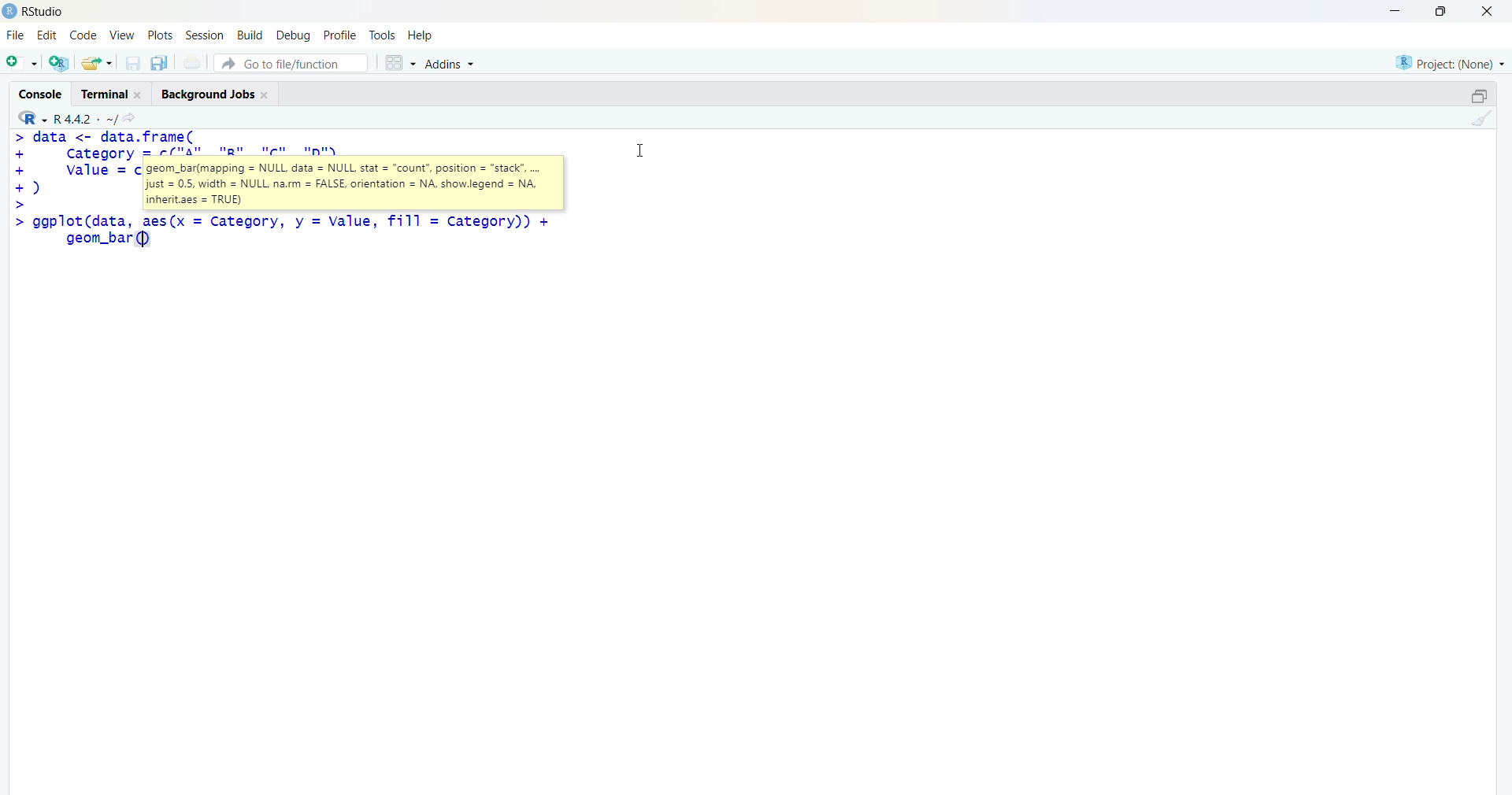 The width and height of the screenshot is (1512, 795). What do you see at coordinates (190, 62) in the screenshot?
I see `print current file` at bounding box center [190, 62].